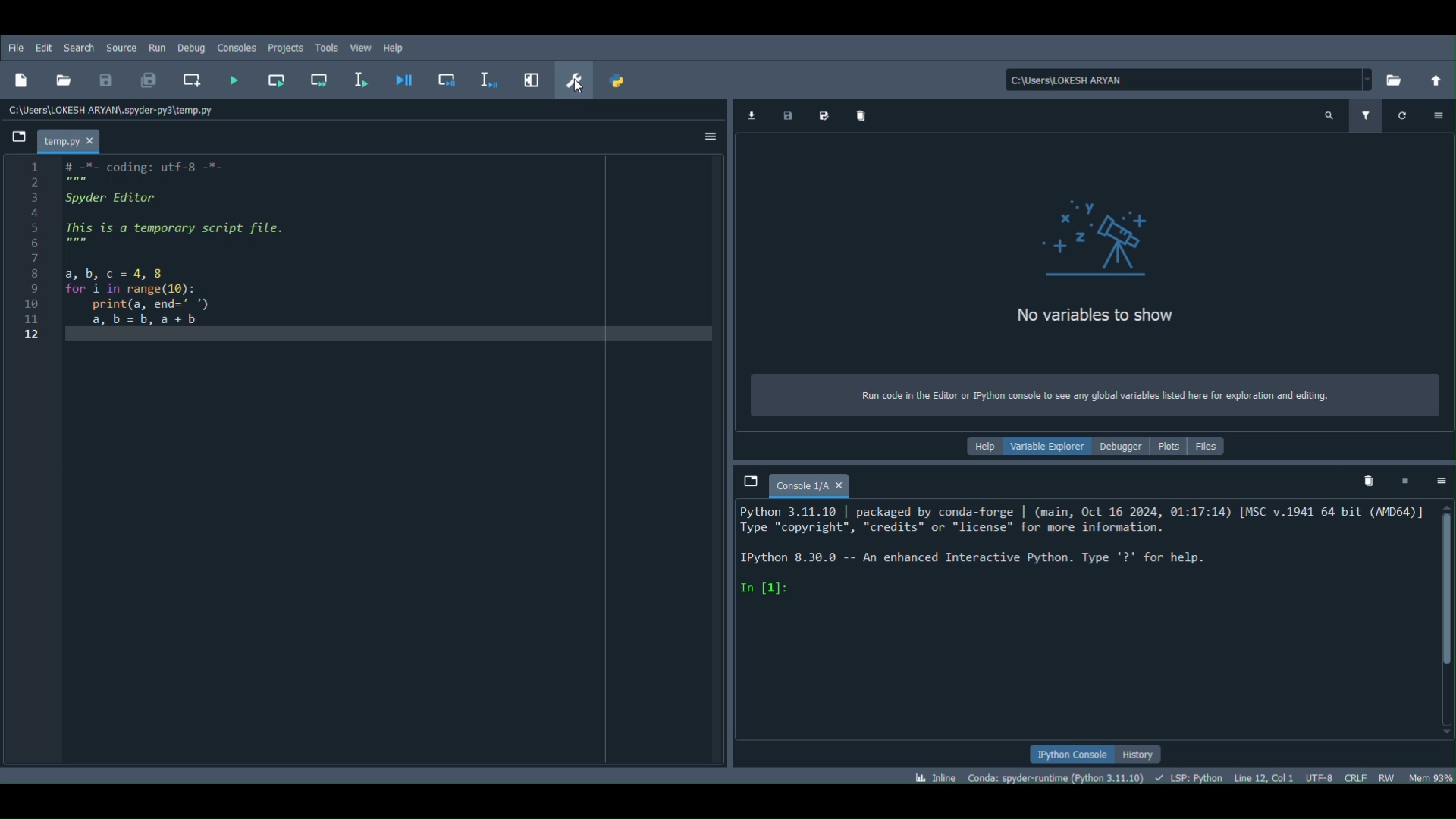 This screenshot has height=819, width=1456. What do you see at coordinates (749, 481) in the screenshot?
I see `Browse tabs` at bounding box center [749, 481].